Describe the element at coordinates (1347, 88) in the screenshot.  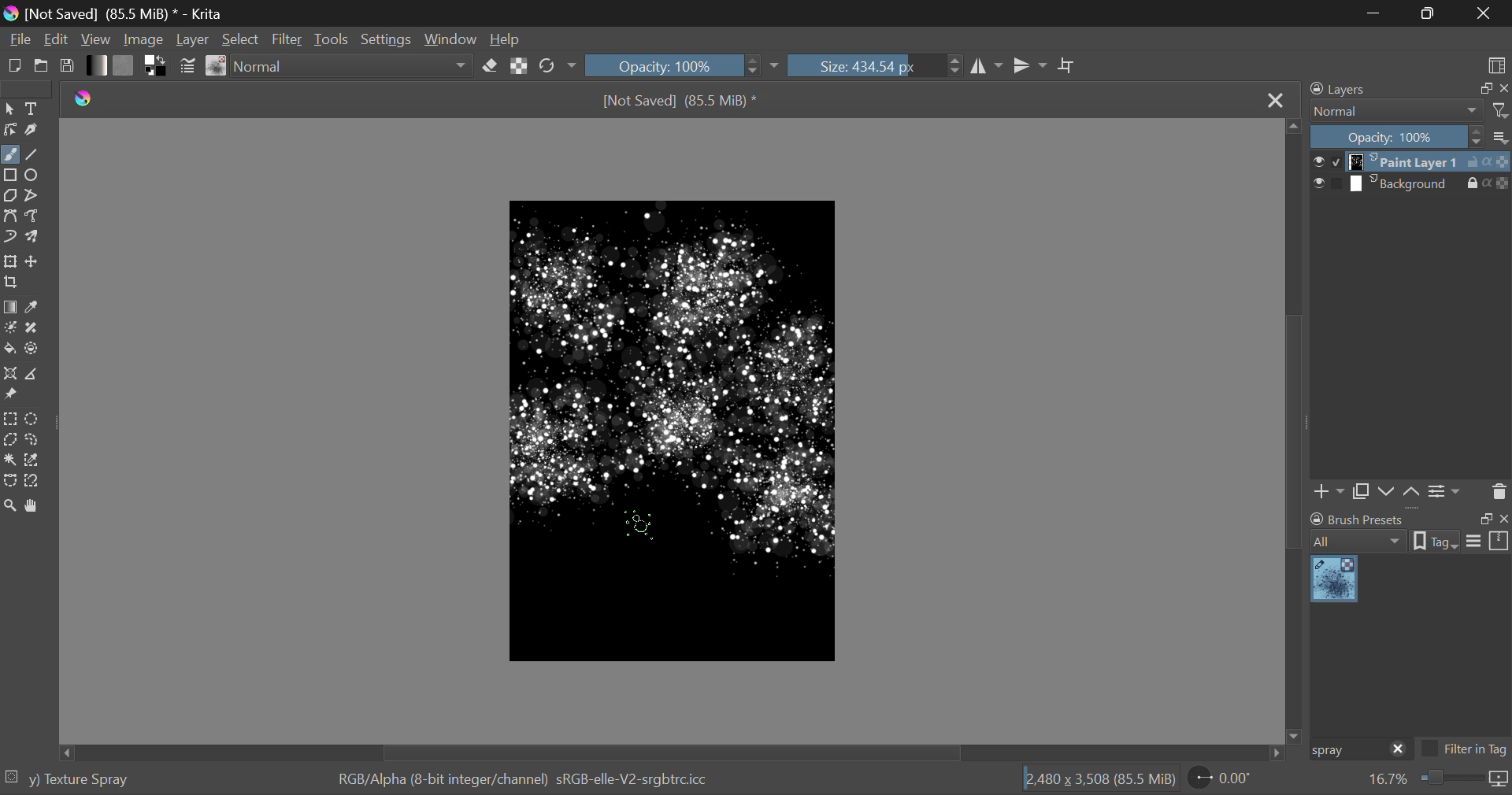
I see `Layers` at that location.